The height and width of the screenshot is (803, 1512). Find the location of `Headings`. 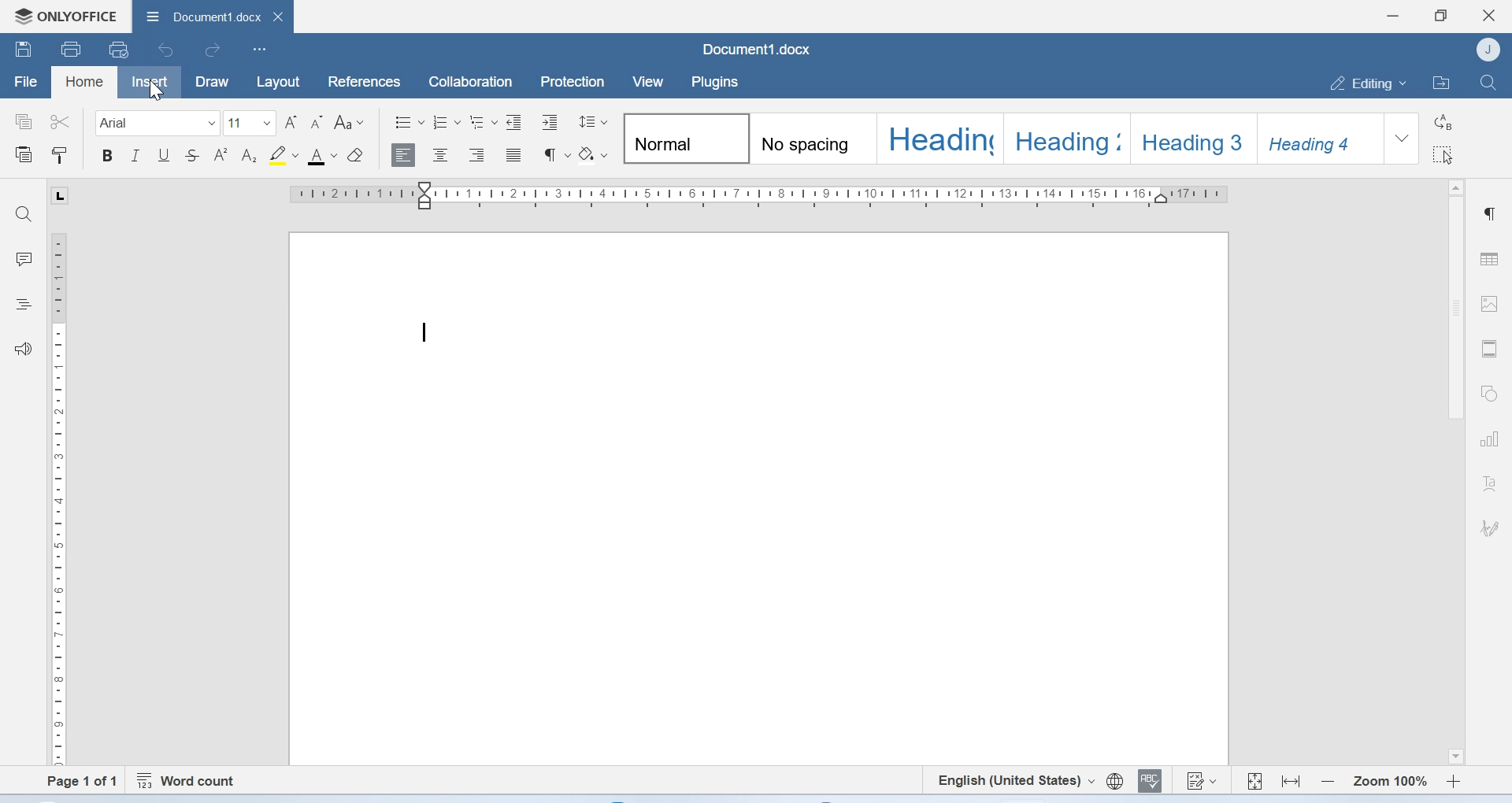

Headings is located at coordinates (26, 303).